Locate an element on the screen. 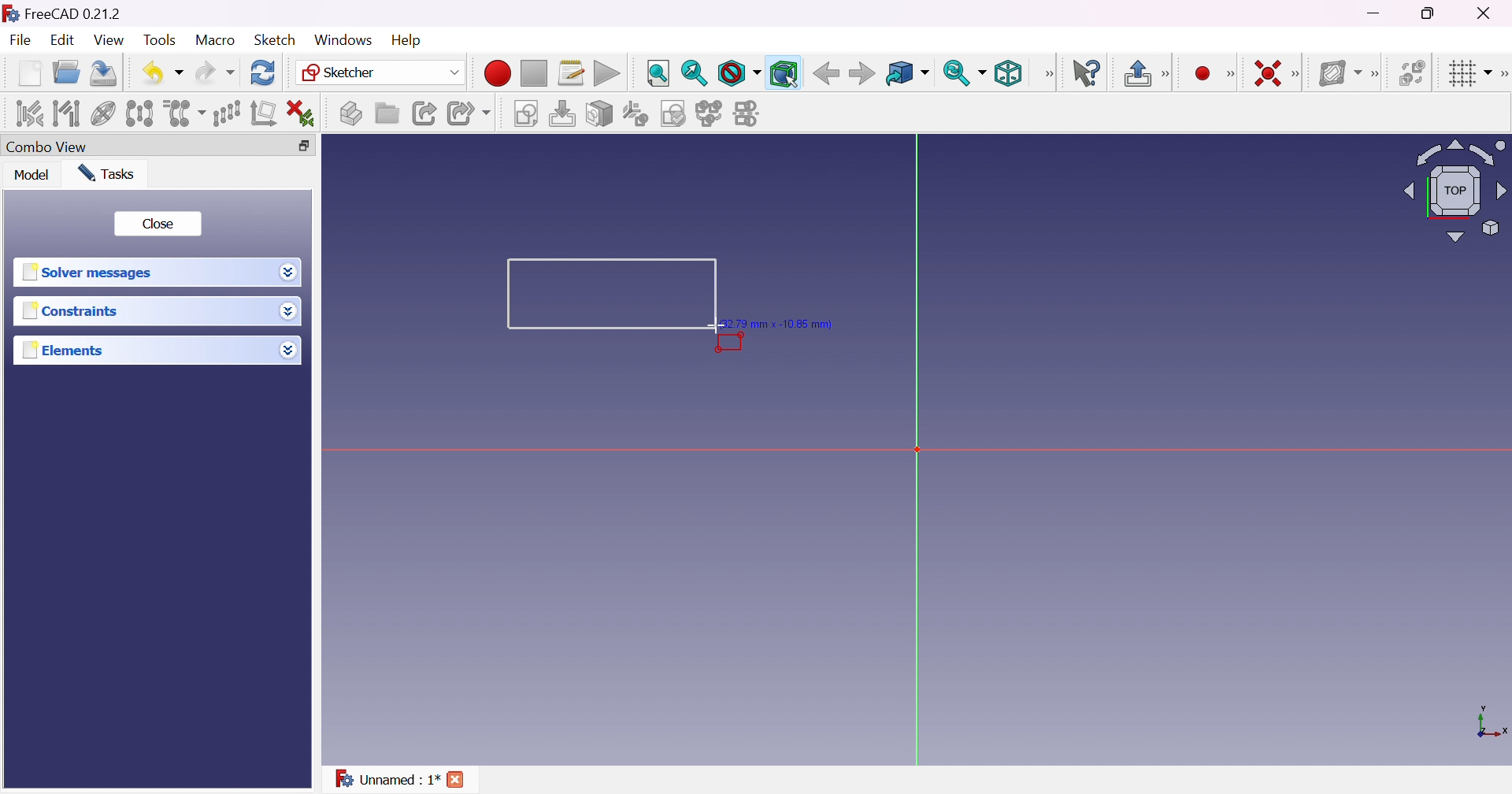 The image size is (1512, 794). Unnamed : 1* is located at coordinates (386, 779).